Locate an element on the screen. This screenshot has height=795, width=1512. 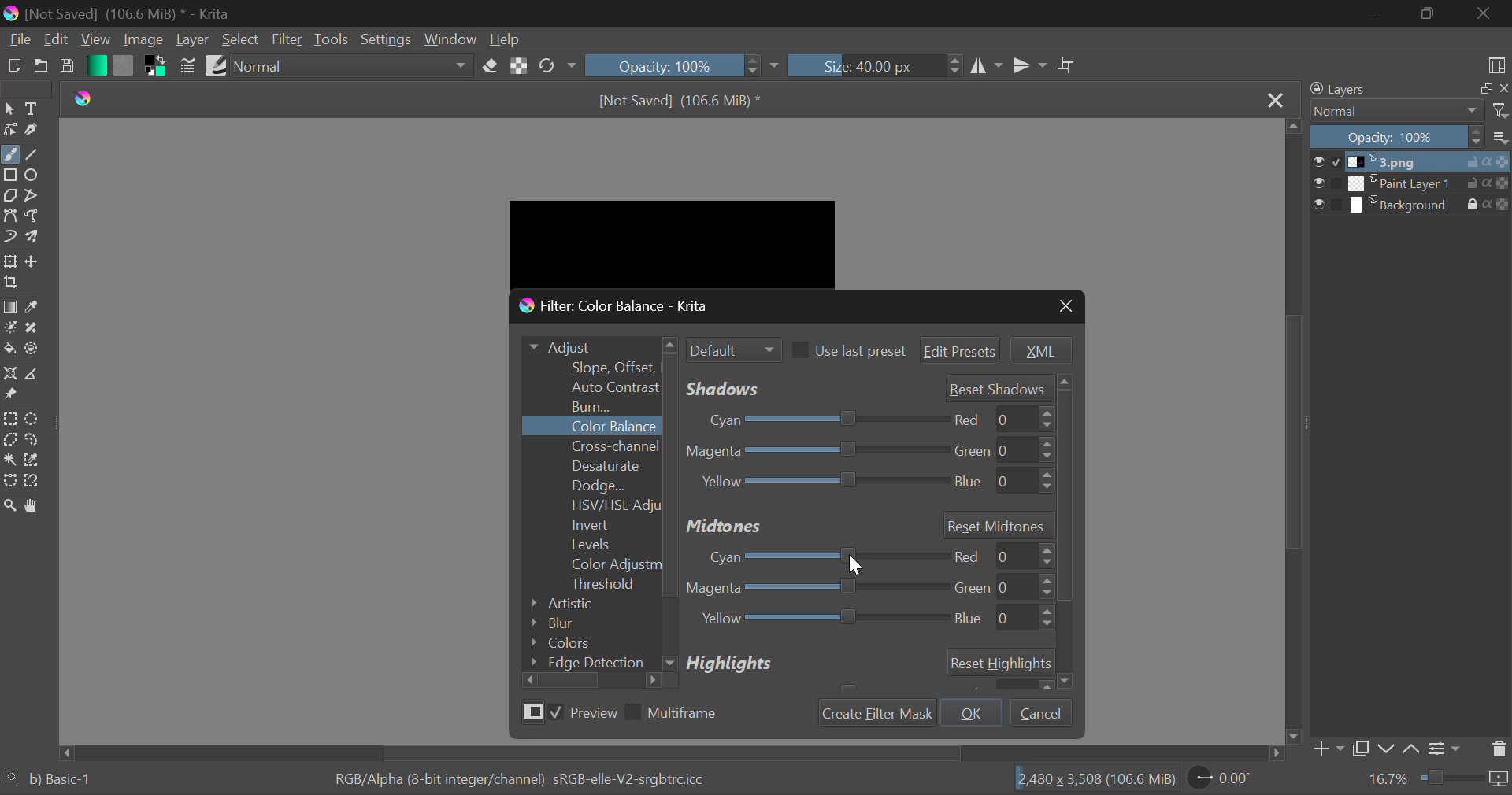
Erase is located at coordinates (490, 67).